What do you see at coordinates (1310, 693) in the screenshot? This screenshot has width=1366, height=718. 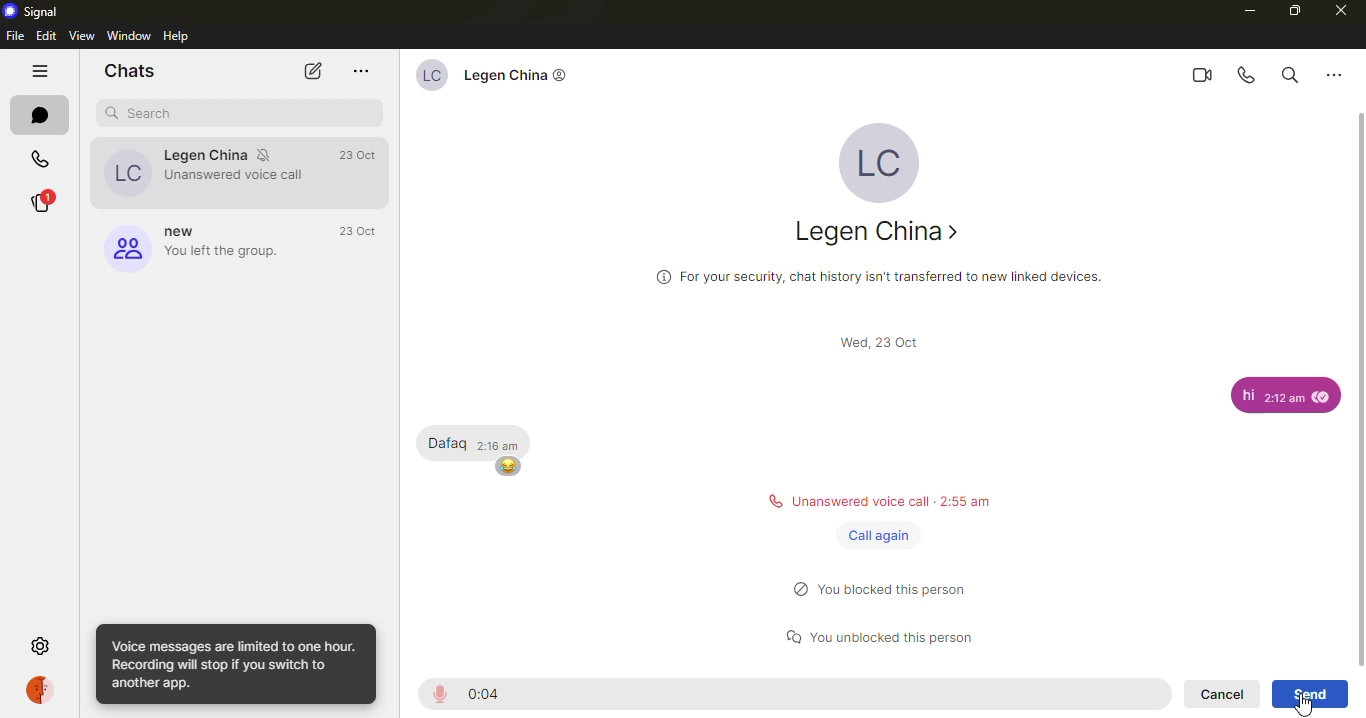 I see `send` at bounding box center [1310, 693].